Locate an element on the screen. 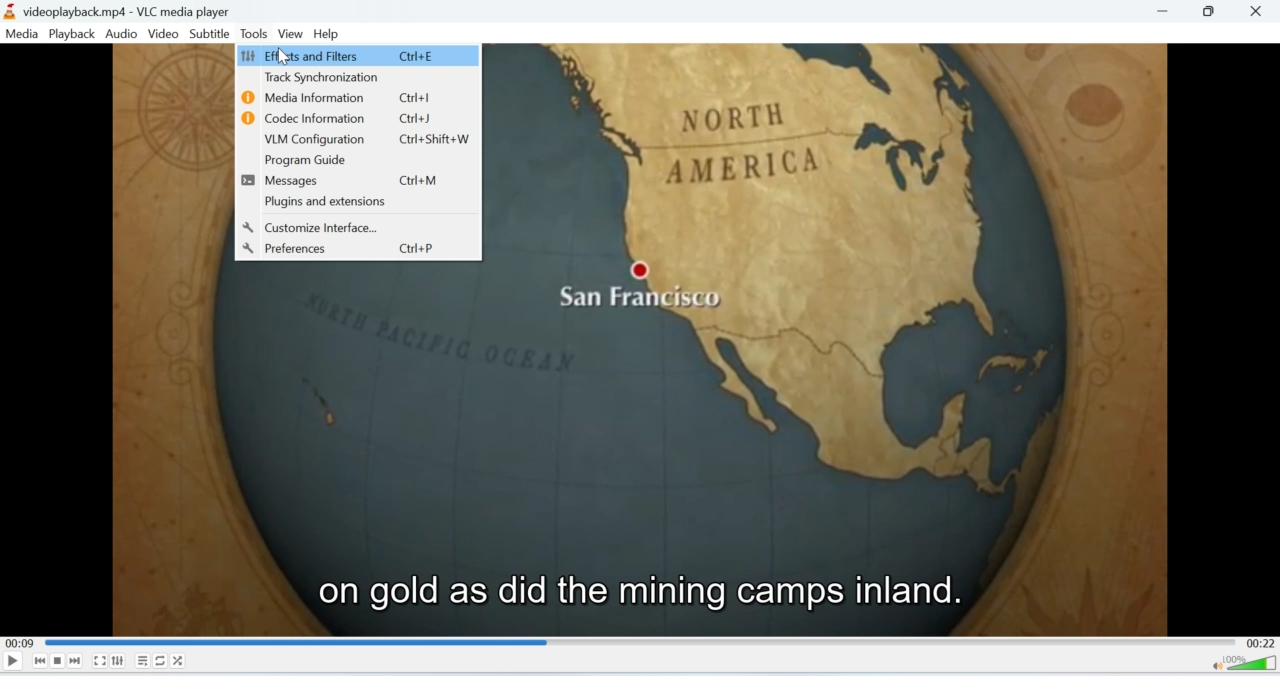 Image resolution: width=1280 pixels, height=676 pixels. Ctrl+E is located at coordinates (419, 56).